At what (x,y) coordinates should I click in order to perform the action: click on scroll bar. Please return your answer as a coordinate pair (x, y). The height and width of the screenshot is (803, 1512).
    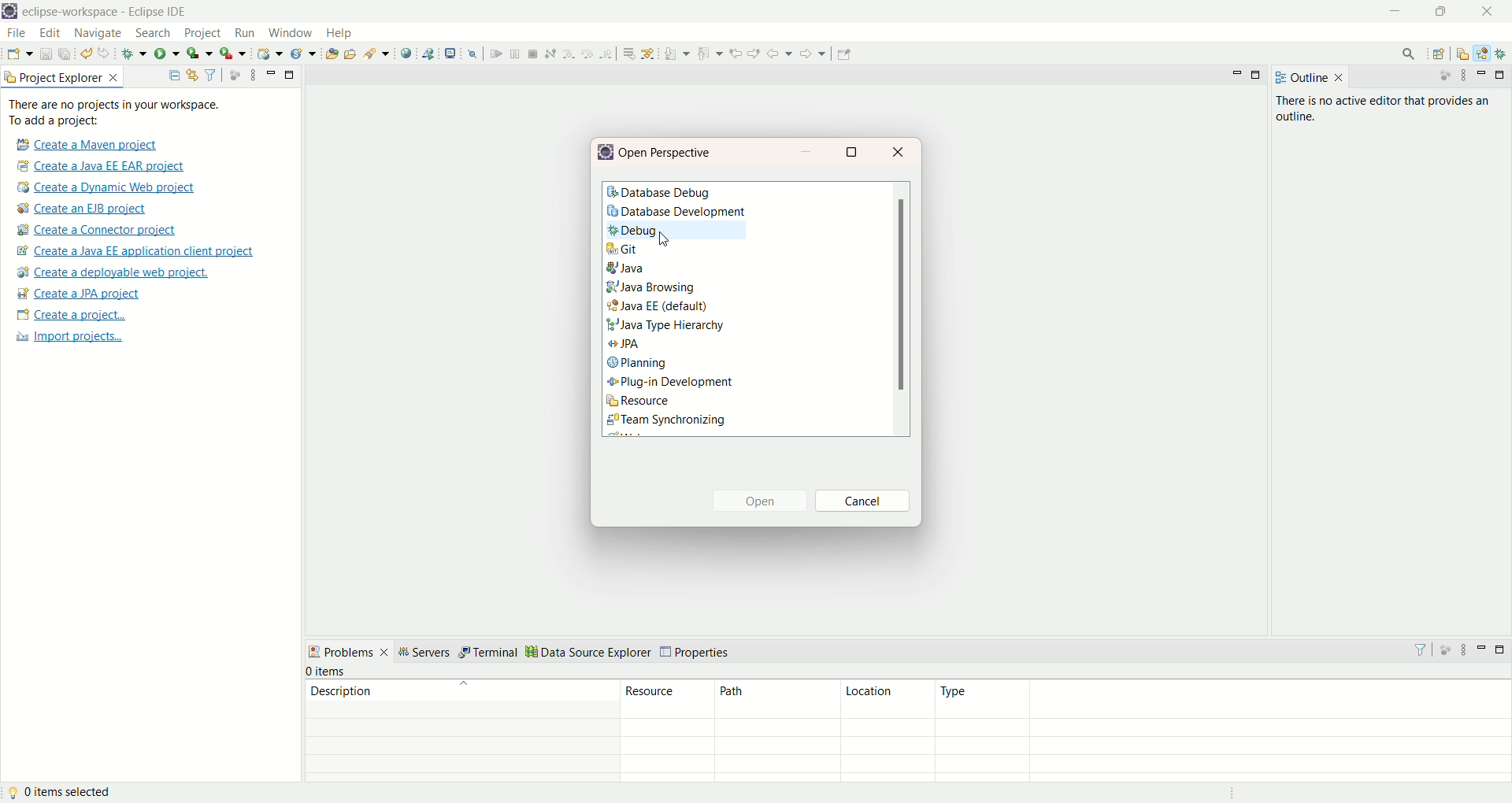
    Looking at the image, I should click on (900, 309).